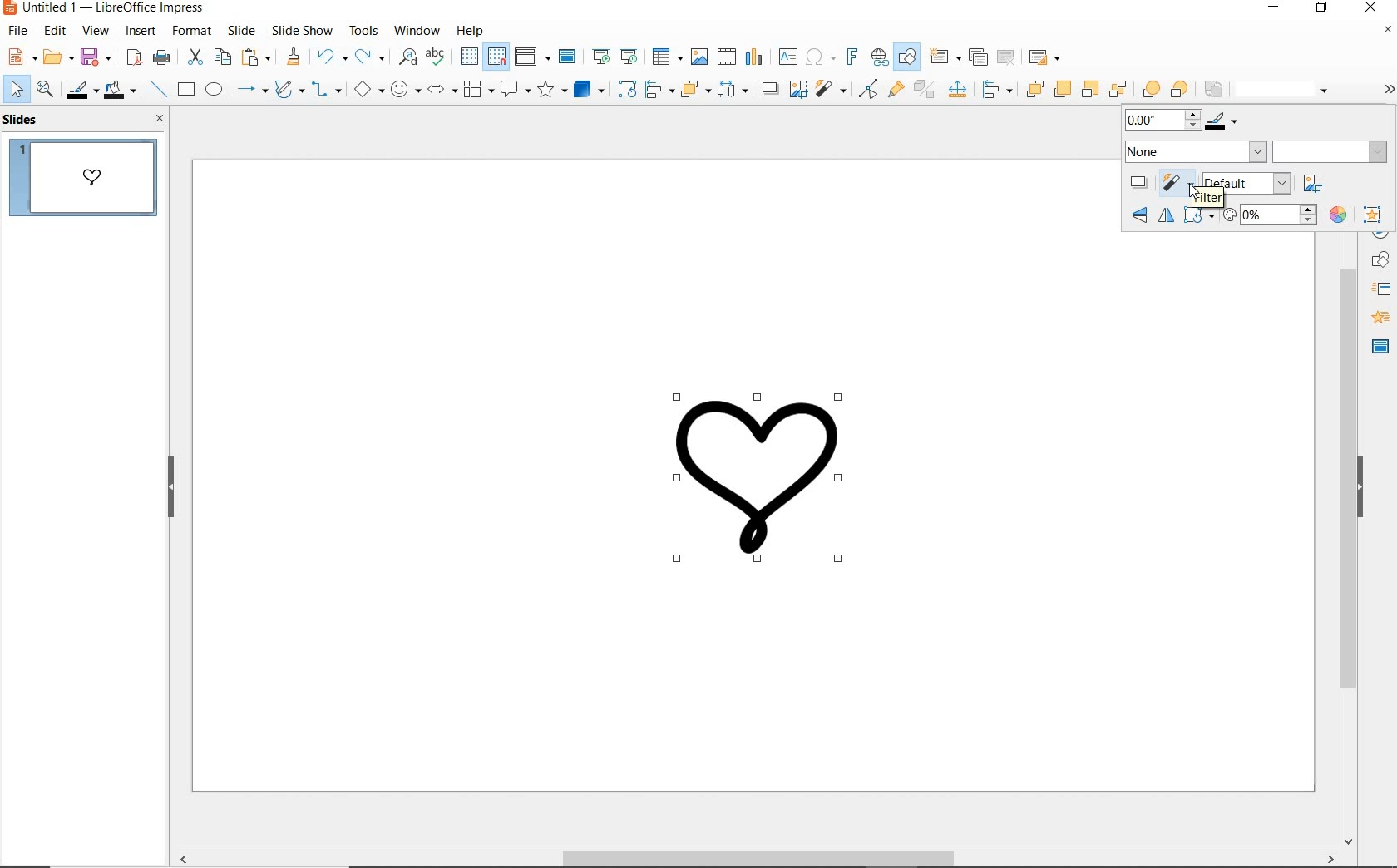  What do you see at coordinates (1214, 89) in the screenshot?
I see `reverse` at bounding box center [1214, 89].